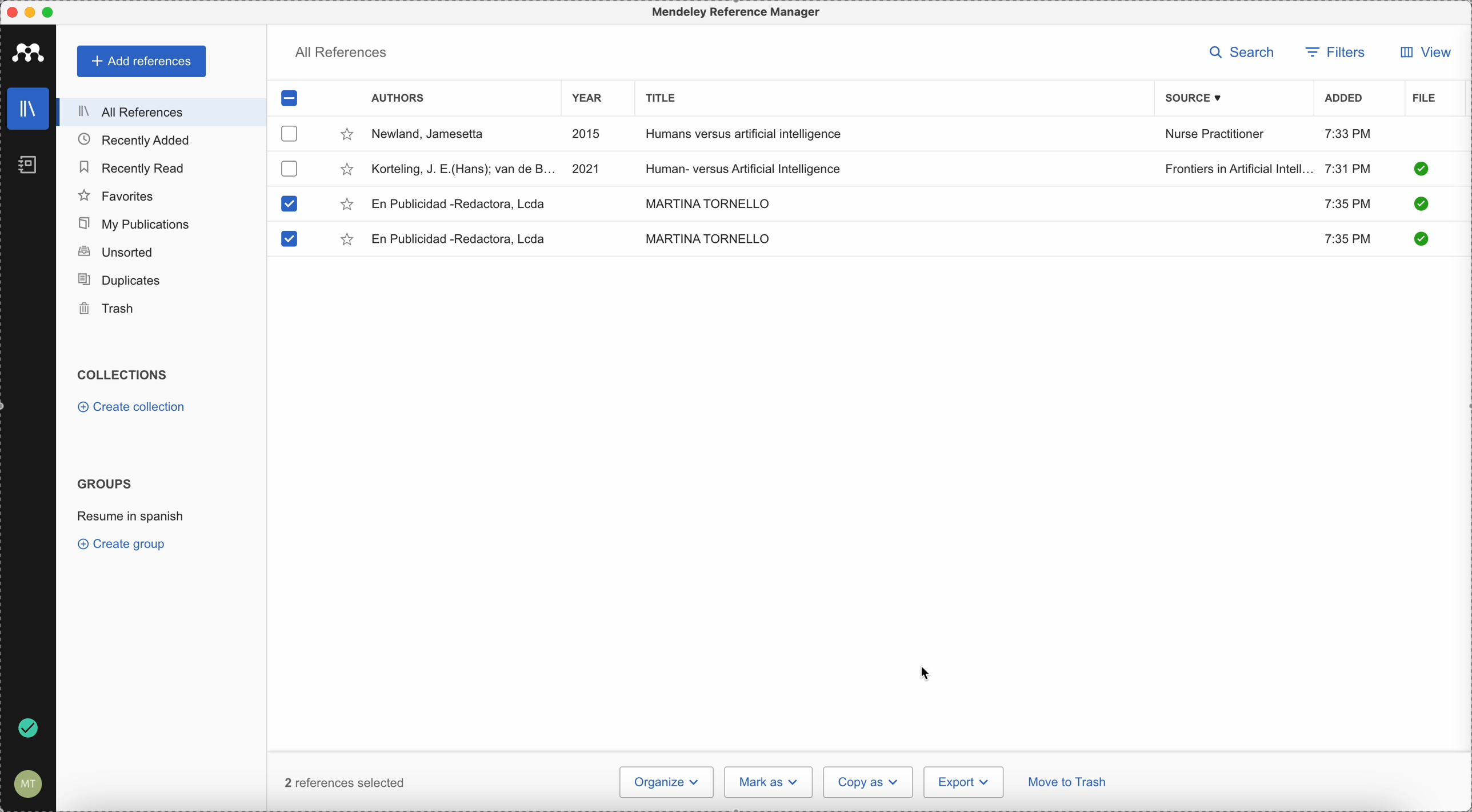 This screenshot has width=1472, height=812. What do you see at coordinates (769, 782) in the screenshot?
I see `mark as` at bounding box center [769, 782].